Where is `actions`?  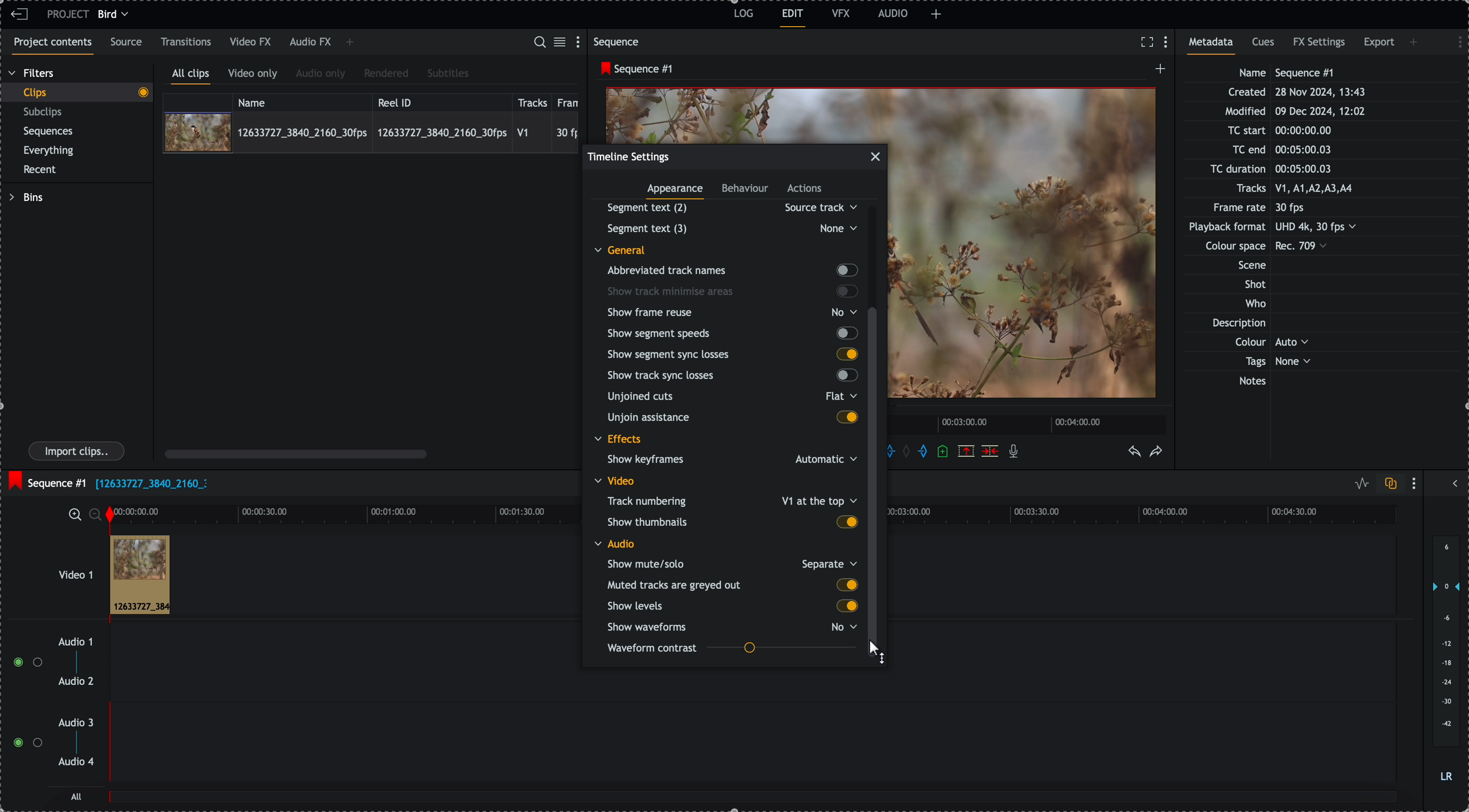 actions is located at coordinates (805, 189).